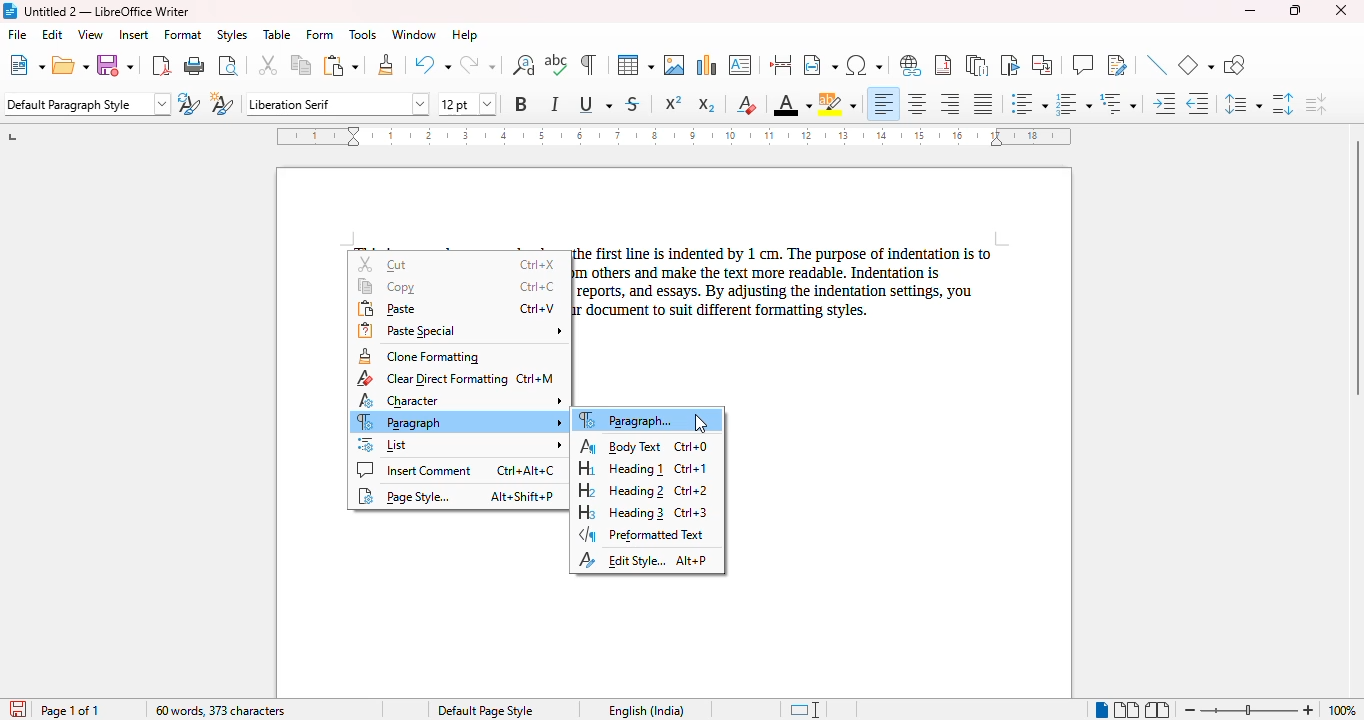 This screenshot has width=1364, height=720. What do you see at coordinates (803, 710) in the screenshot?
I see `standard selection` at bounding box center [803, 710].